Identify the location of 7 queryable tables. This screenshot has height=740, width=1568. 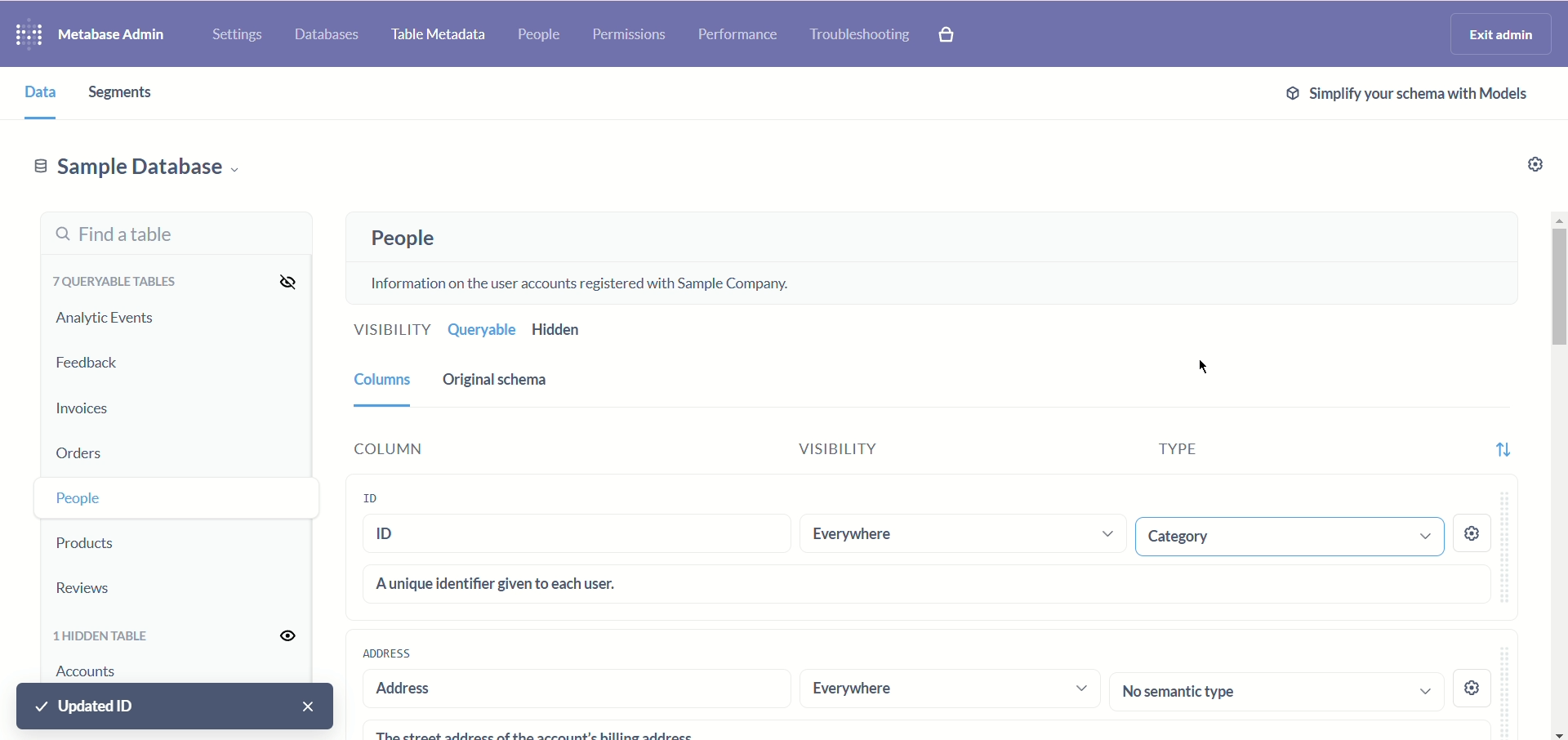
(111, 281).